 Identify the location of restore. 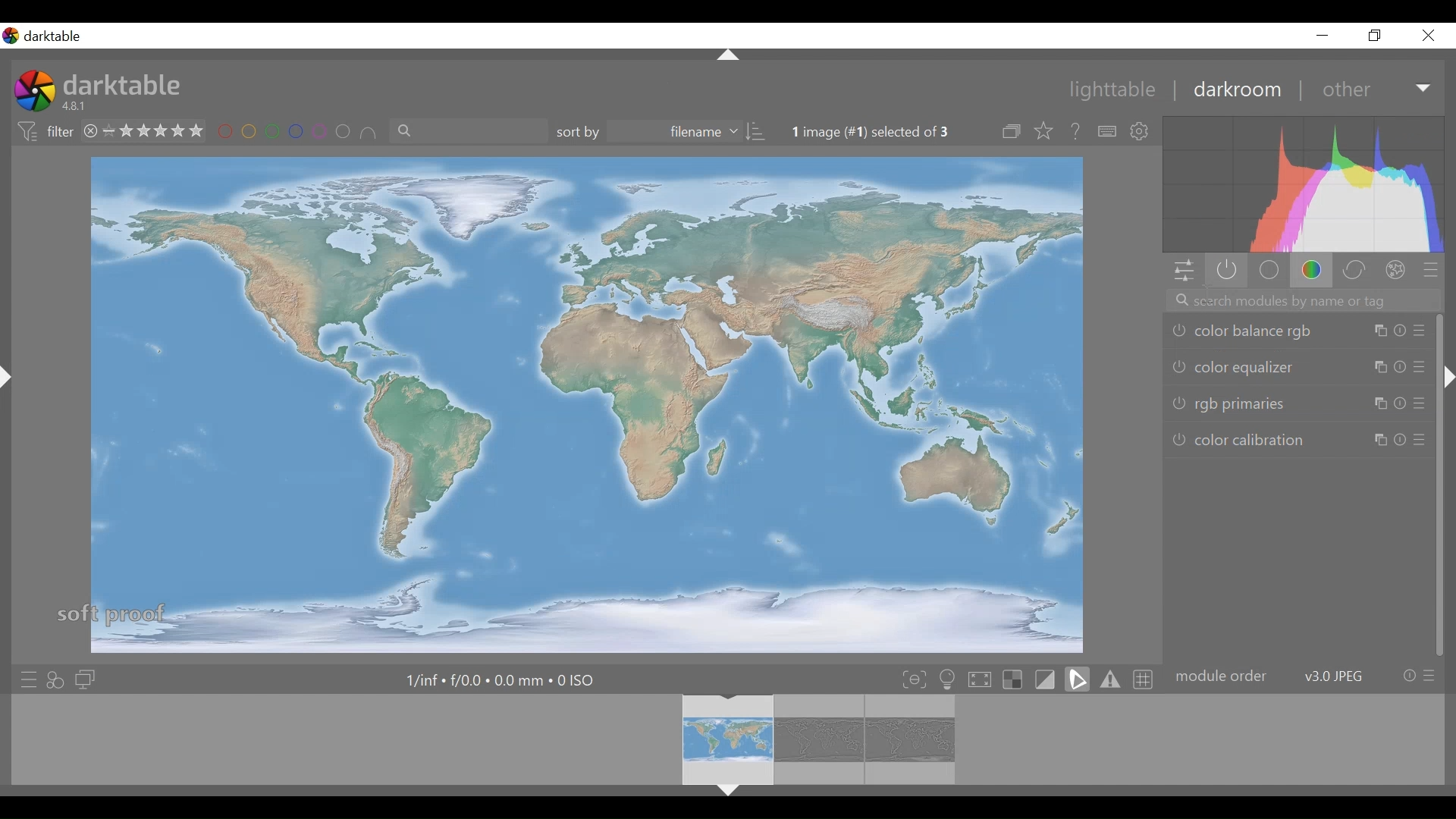
(1378, 37).